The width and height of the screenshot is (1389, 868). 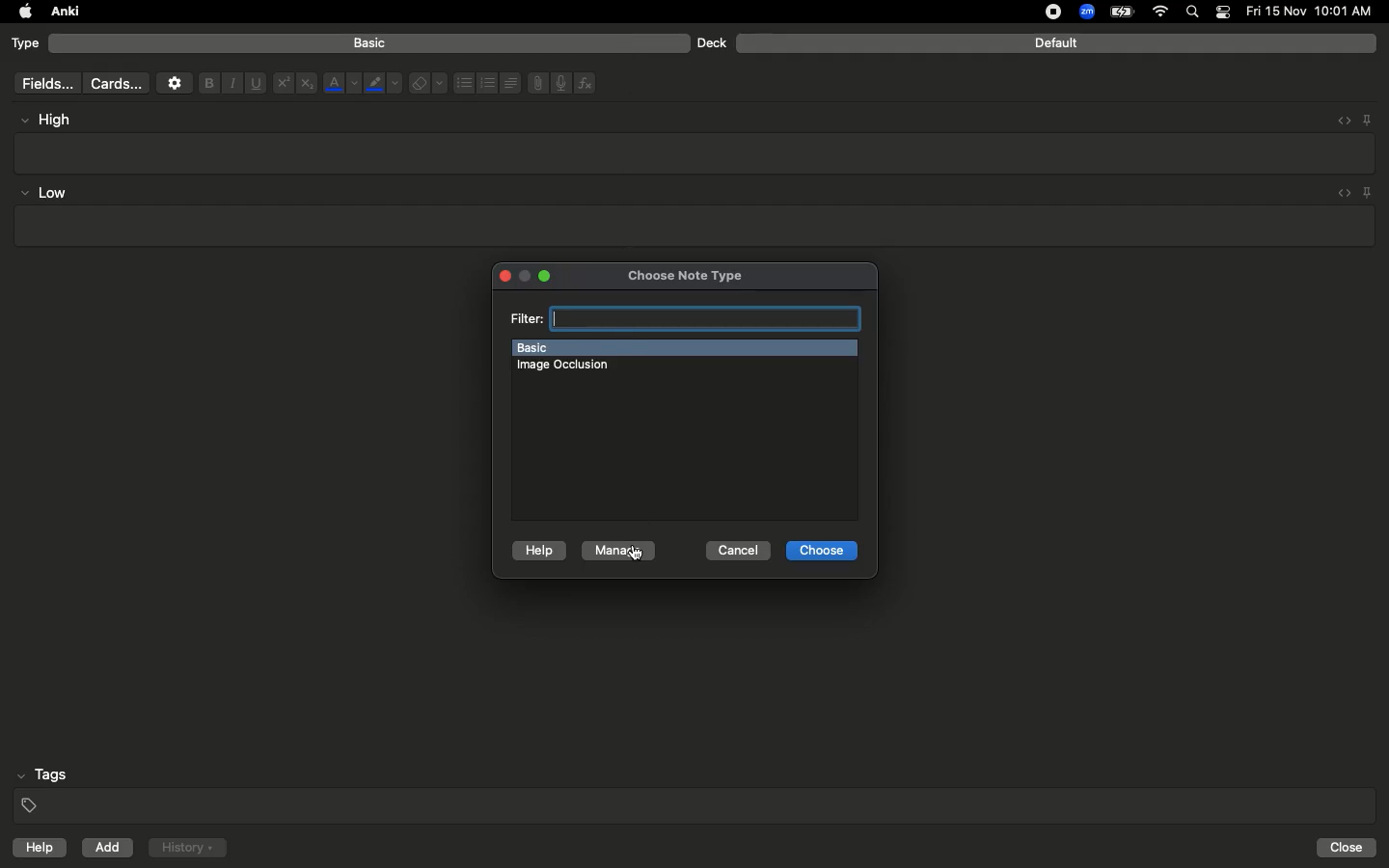 I want to click on Help, so click(x=539, y=550).